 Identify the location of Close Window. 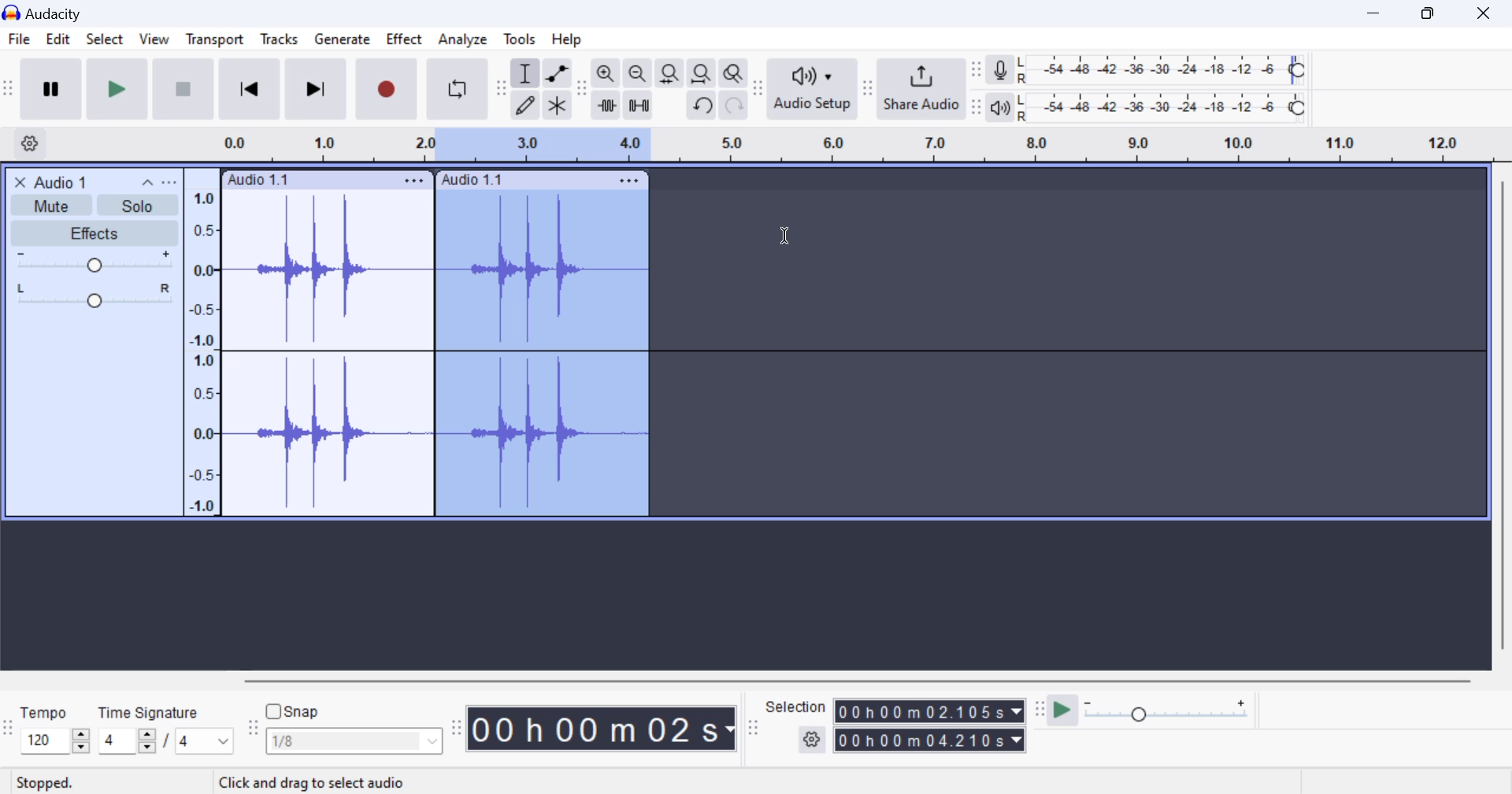
(1488, 11).